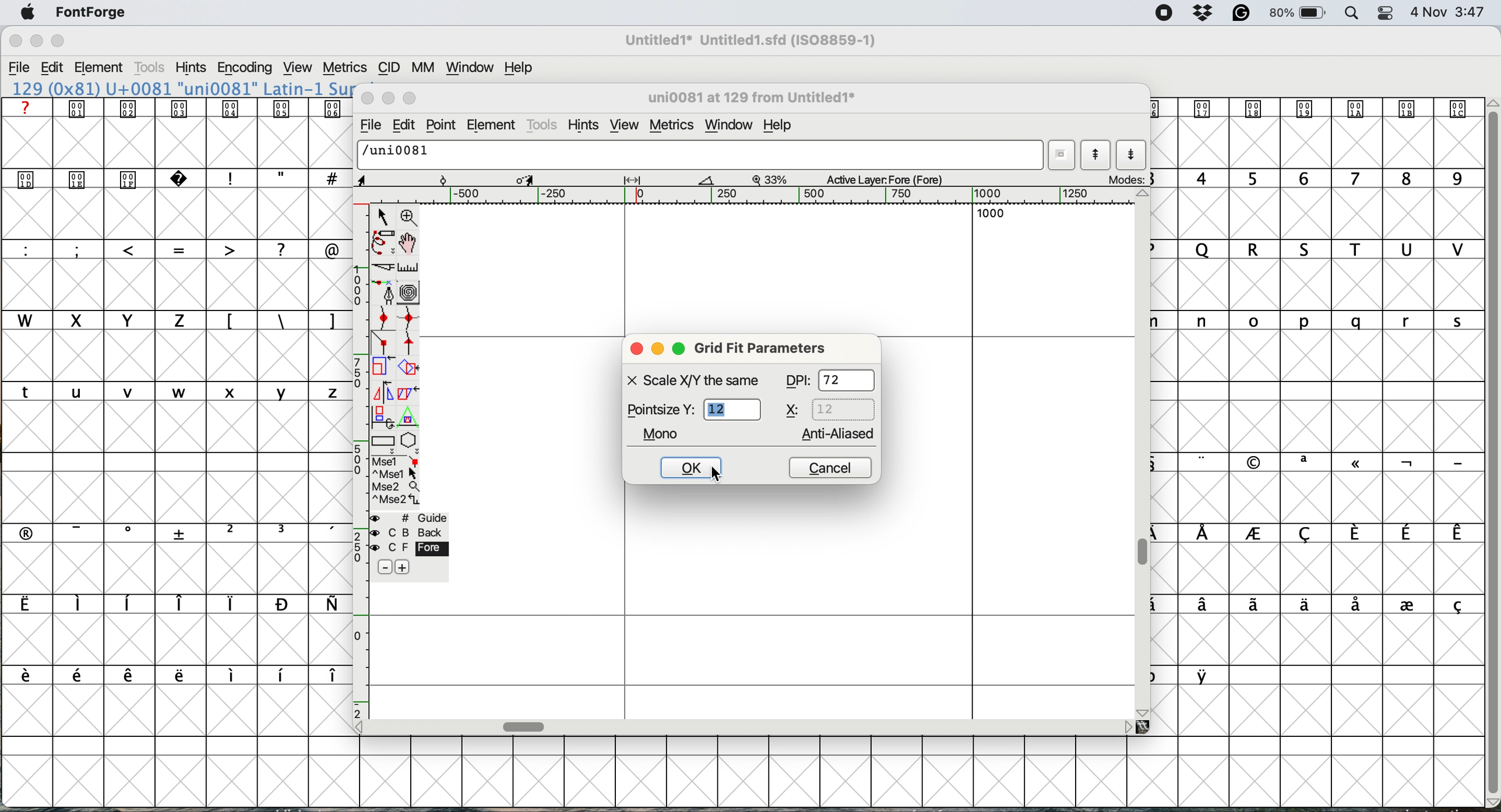  I want to click on edit, so click(404, 126).